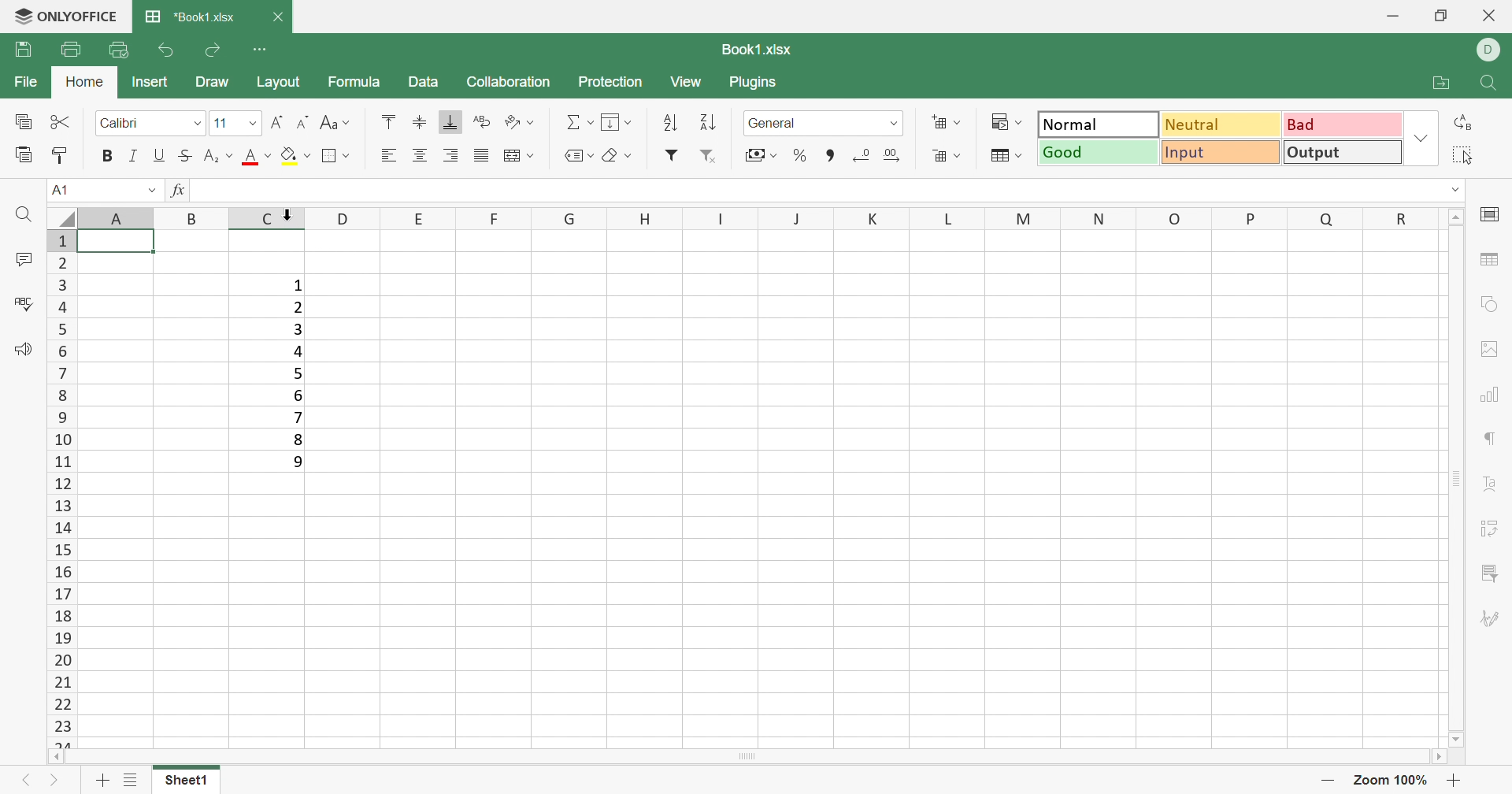  Describe the element at coordinates (21, 215) in the screenshot. I see `Find` at that location.